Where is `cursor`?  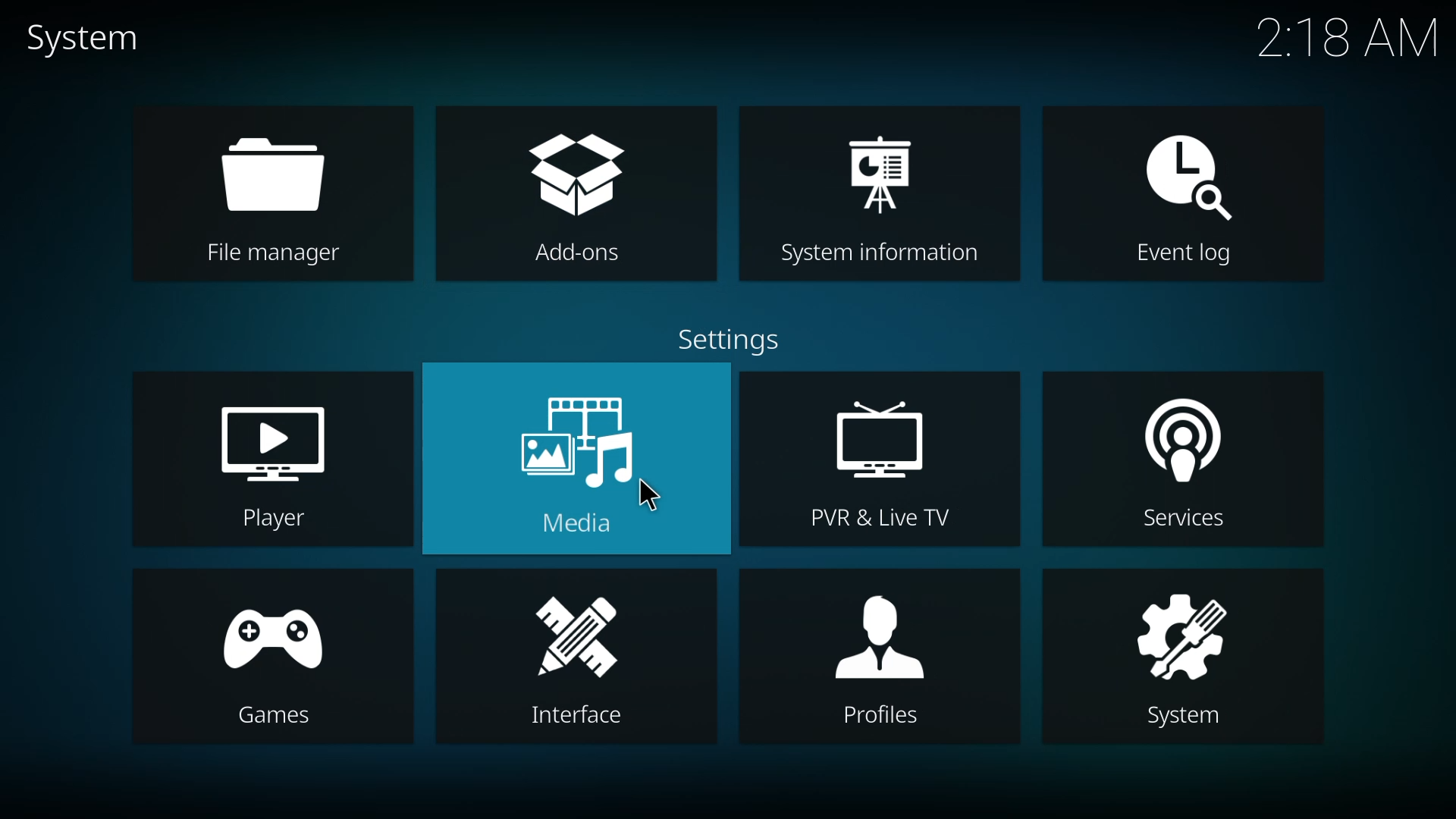 cursor is located at coordinates (657, 499).